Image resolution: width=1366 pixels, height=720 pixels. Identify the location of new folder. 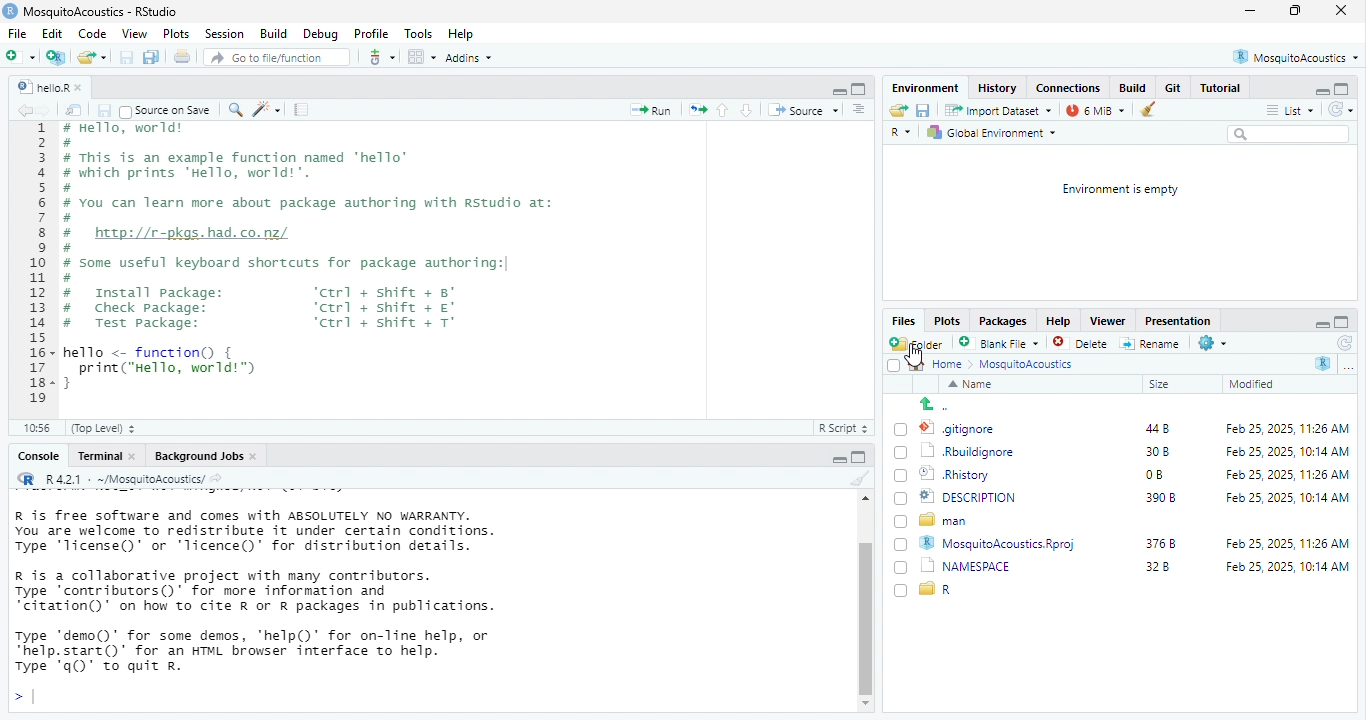
(920, 343).